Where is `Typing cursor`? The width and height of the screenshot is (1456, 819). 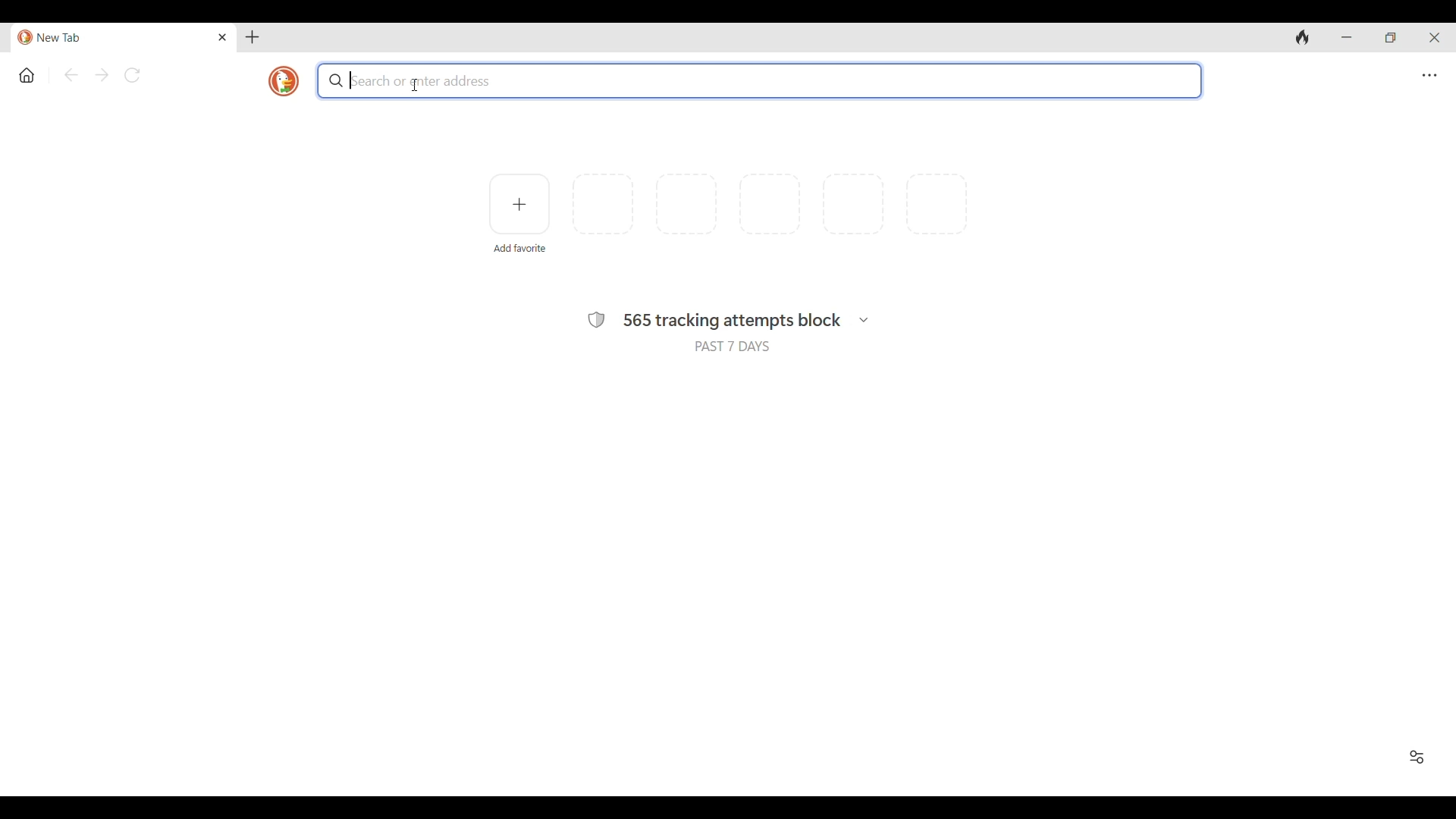
Typing cursor is located at coordinates (350, 80).